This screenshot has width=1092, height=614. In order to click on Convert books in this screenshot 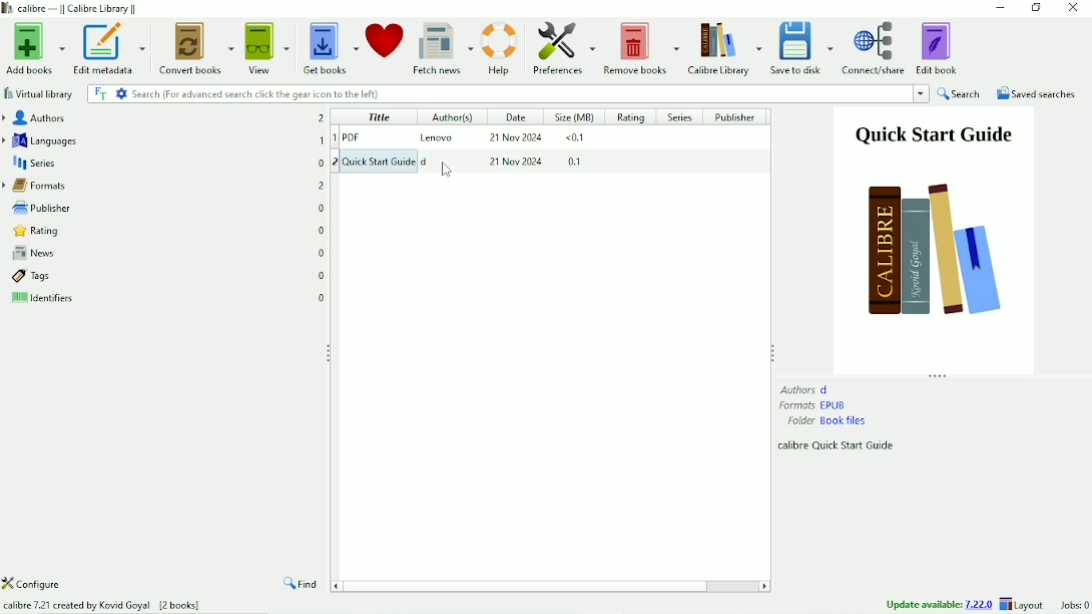, I will do `click(197, 46)`.